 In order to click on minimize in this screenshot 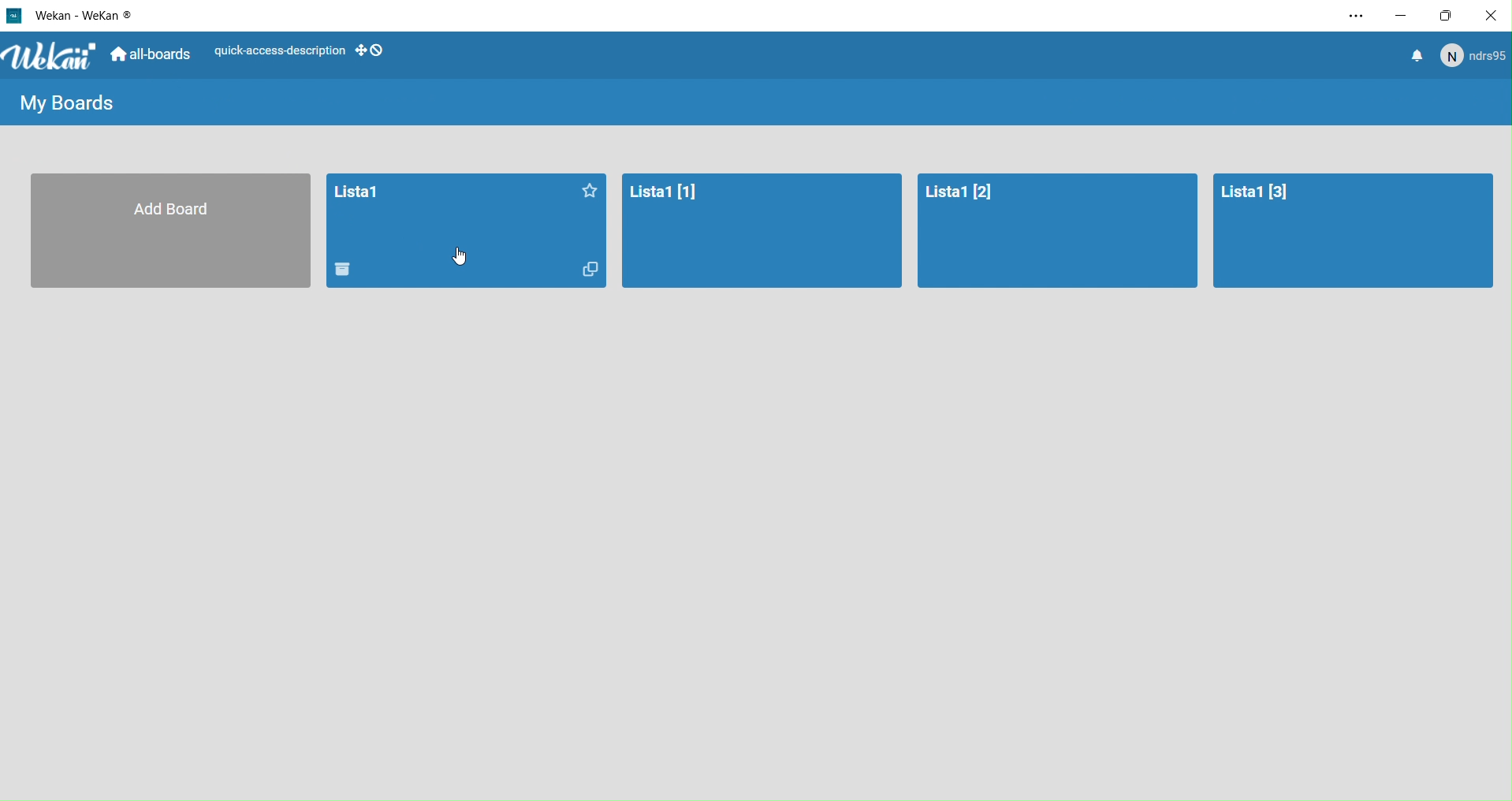, I will do `click(1404, 13)`.